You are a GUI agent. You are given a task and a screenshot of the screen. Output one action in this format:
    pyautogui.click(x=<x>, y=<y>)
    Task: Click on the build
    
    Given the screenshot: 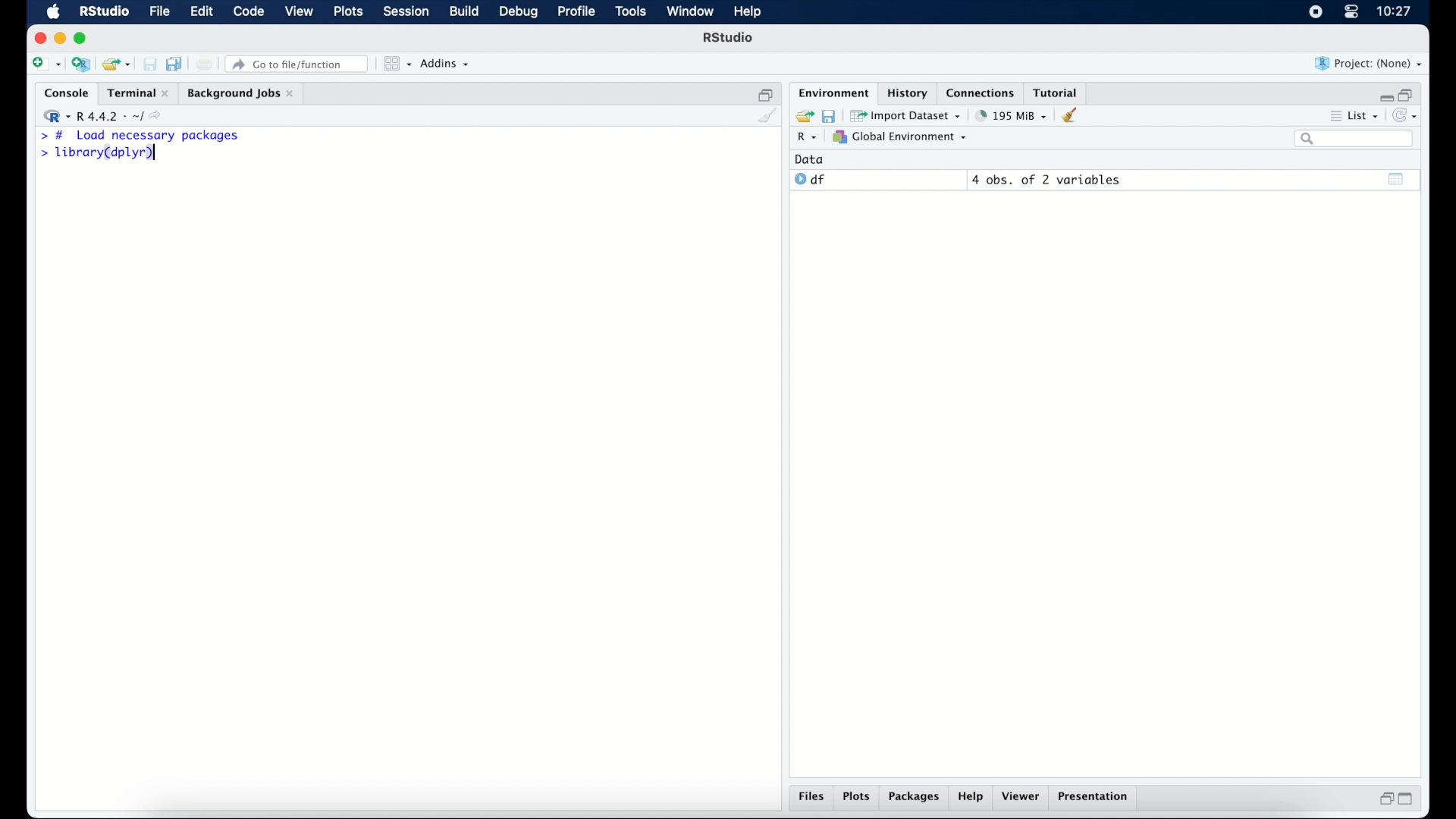 What is the action you would take?
    pyautogui.click(x=463, y=12)
    